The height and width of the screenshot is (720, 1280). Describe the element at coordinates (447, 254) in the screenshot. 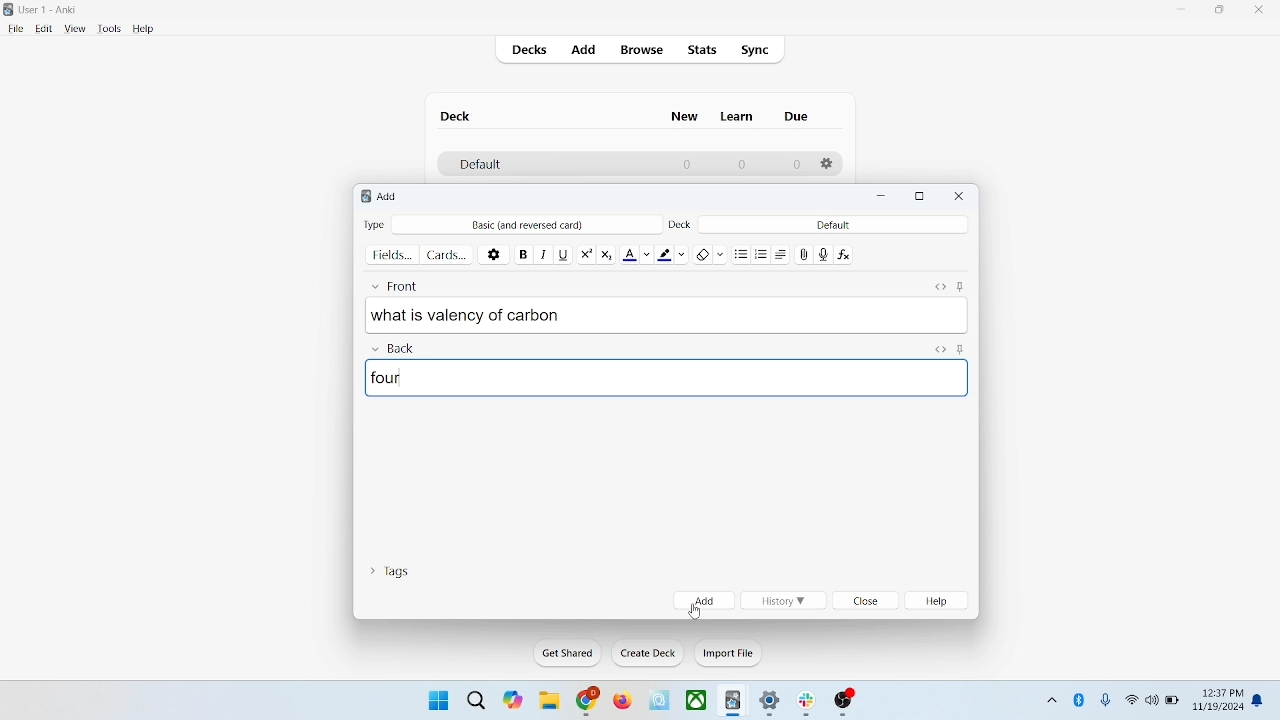

I see `cards` at that location.